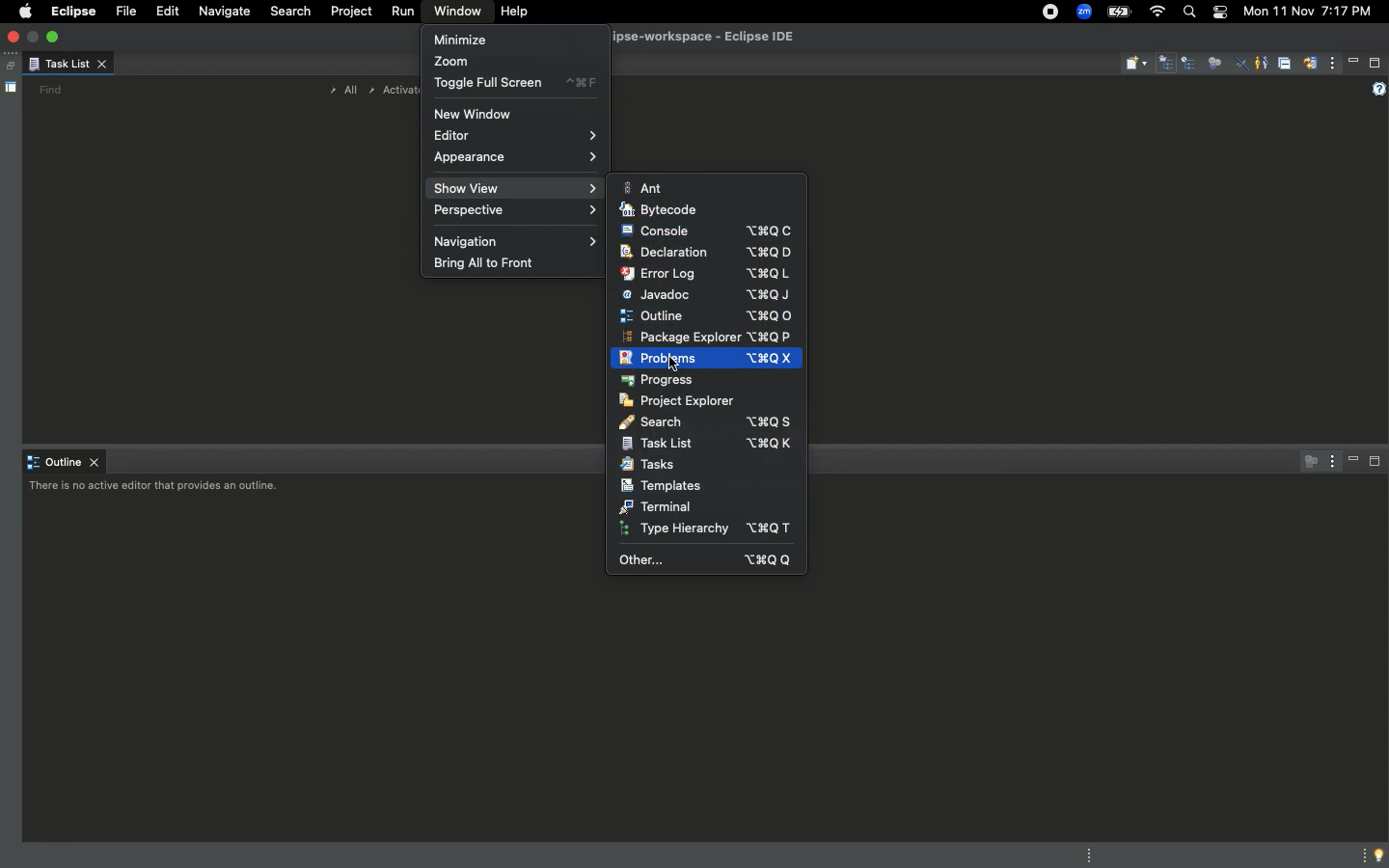 Image resolution: width=1389 pixels, height=868 pixels. I want to click on Templates, so click(672, 487).